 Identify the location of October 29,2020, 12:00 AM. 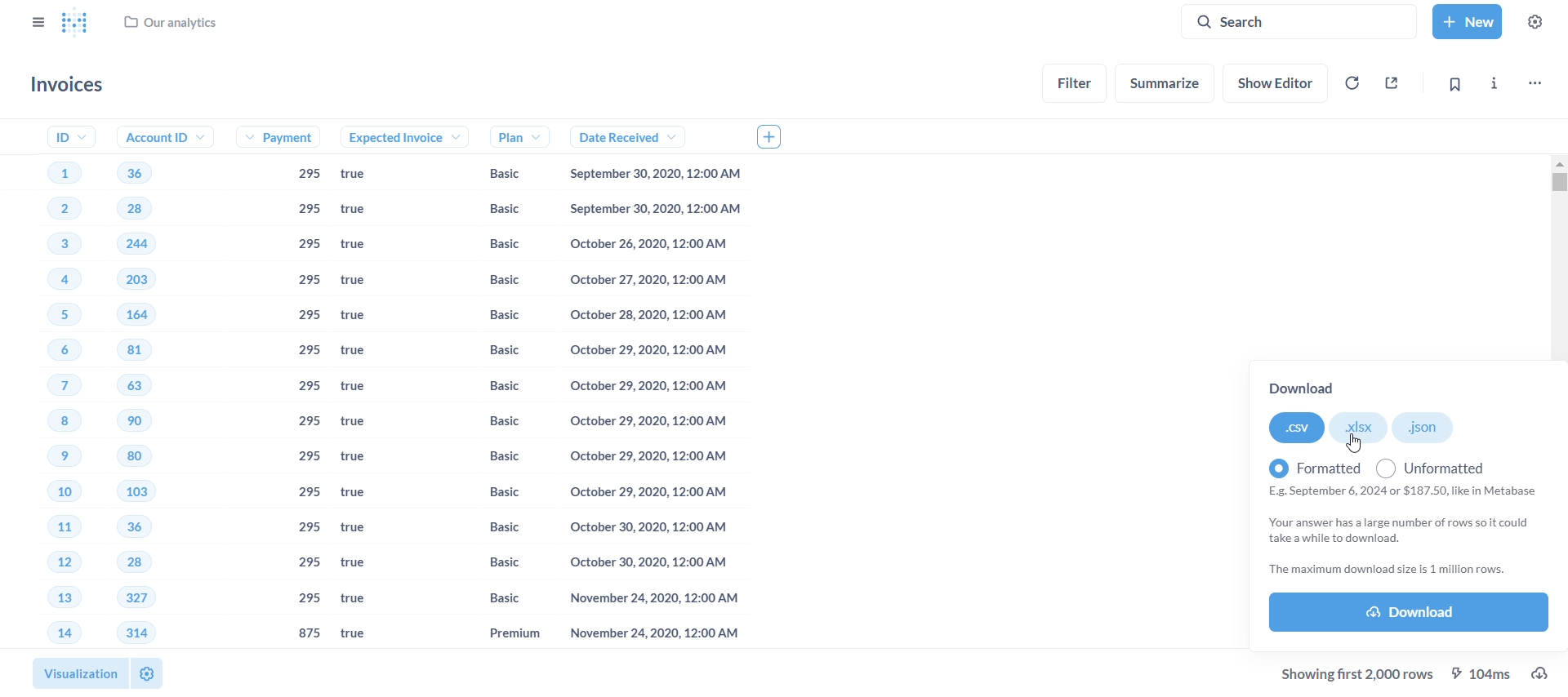
(644, 491).